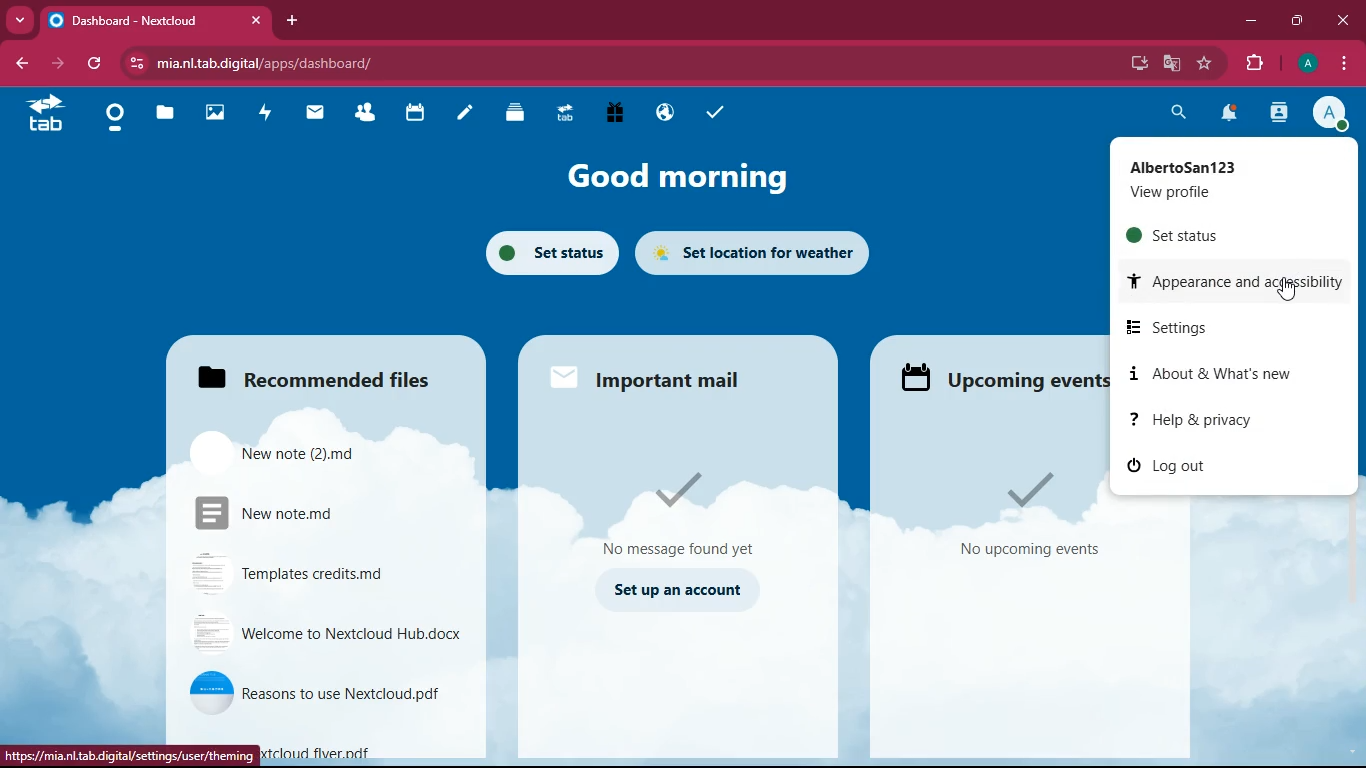  I want to click on back, so click(25, 64).